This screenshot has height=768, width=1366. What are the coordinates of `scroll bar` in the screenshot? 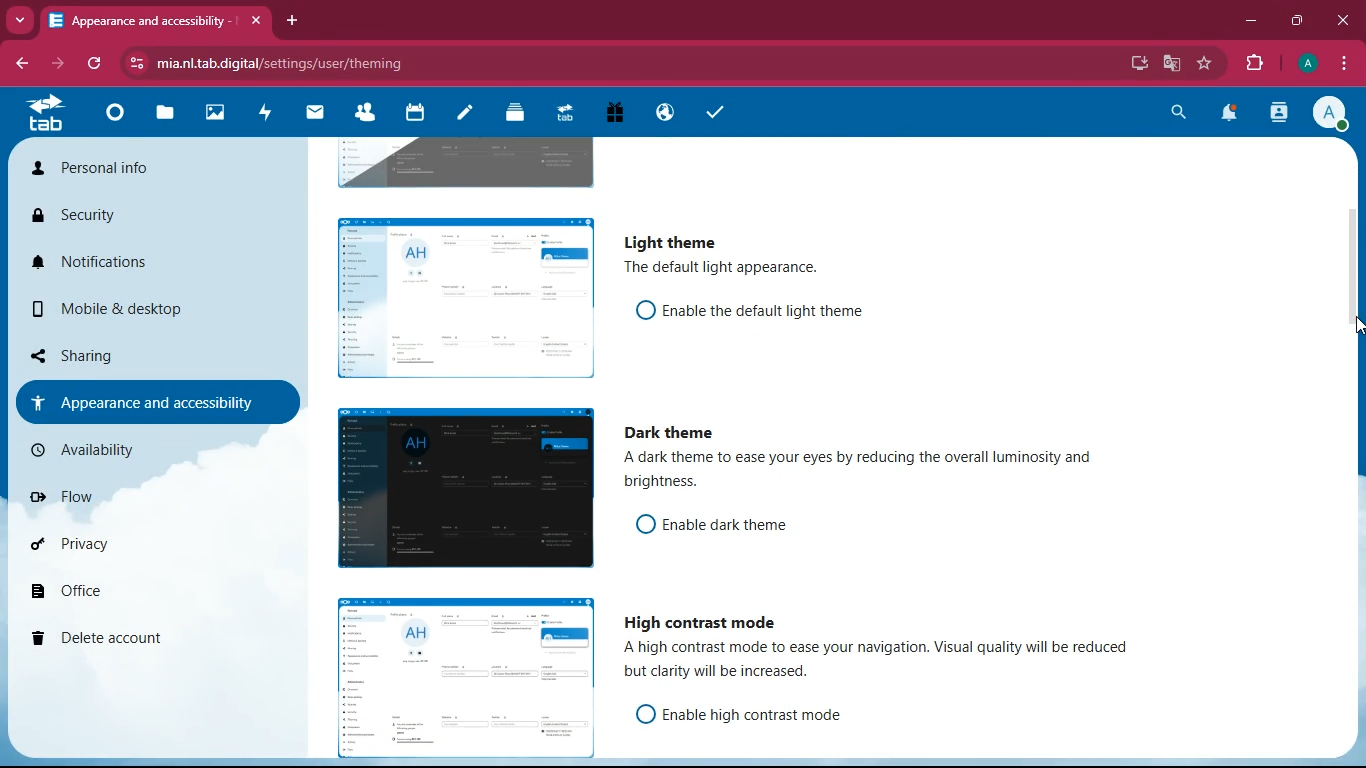 It's located at (1357, 336).